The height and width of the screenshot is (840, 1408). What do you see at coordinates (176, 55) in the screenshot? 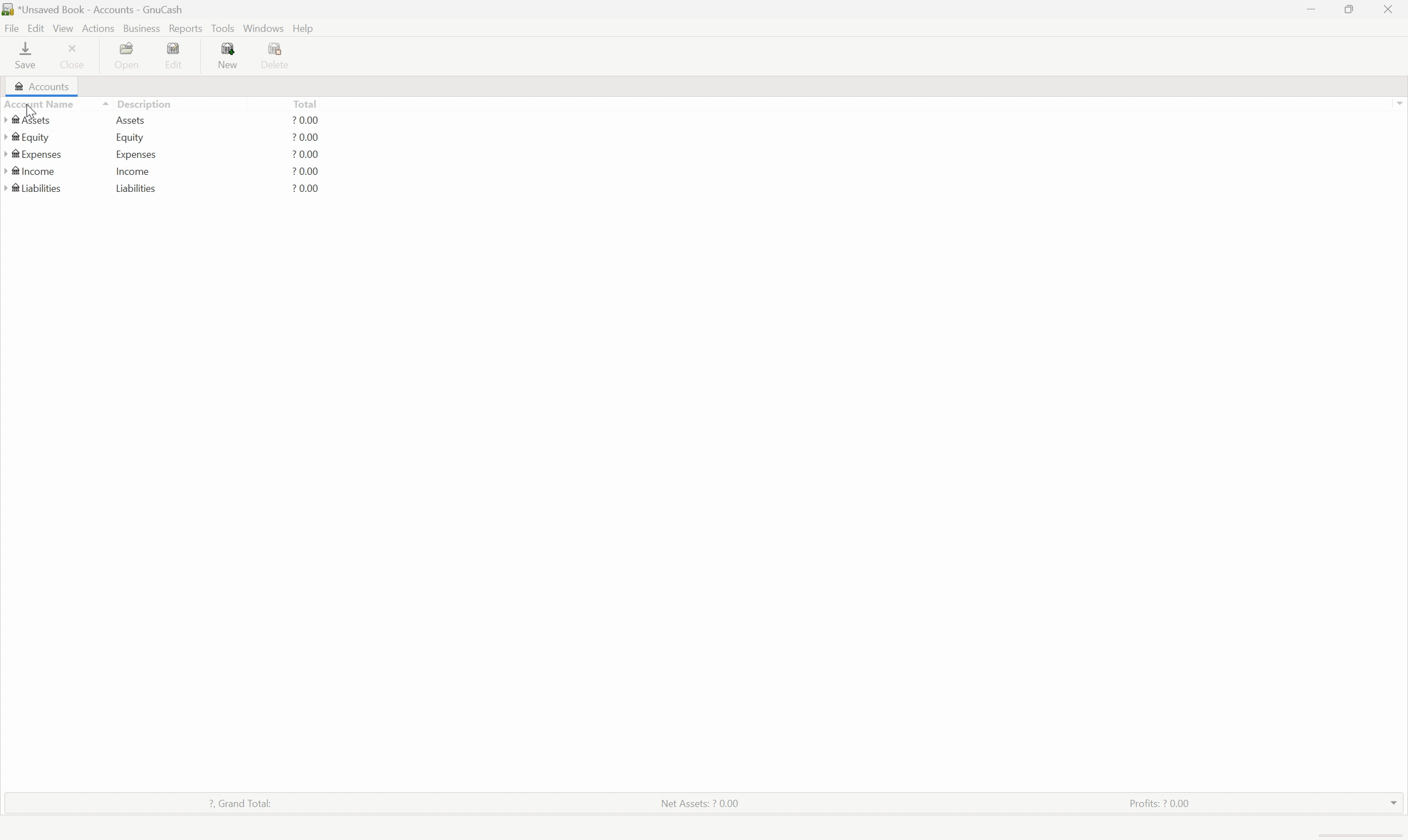
I see `Edit` at bounding box center [176, 55].